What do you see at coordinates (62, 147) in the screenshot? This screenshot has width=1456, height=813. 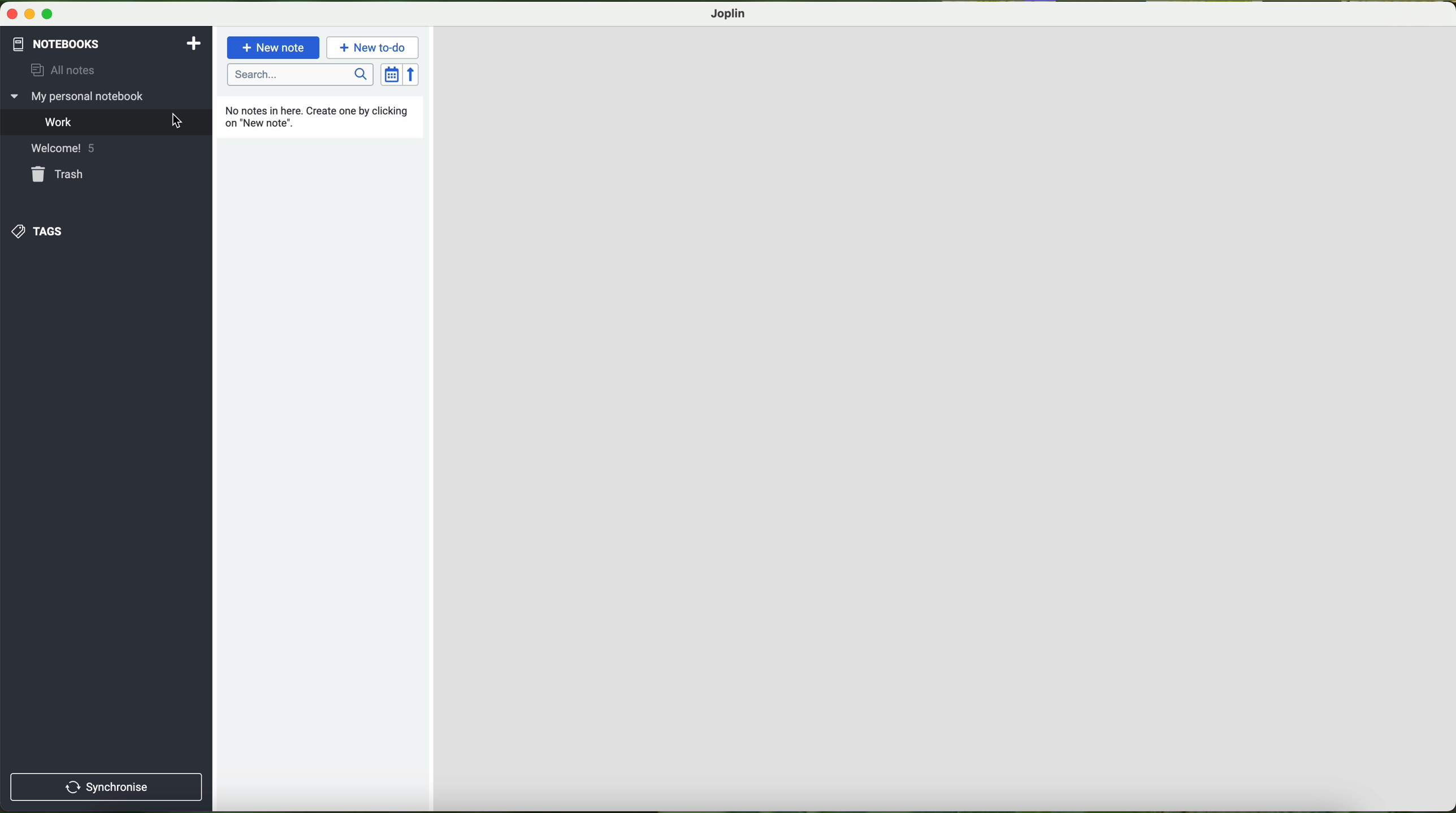 I see `welcome! 5` at bounding box center [62, 147].